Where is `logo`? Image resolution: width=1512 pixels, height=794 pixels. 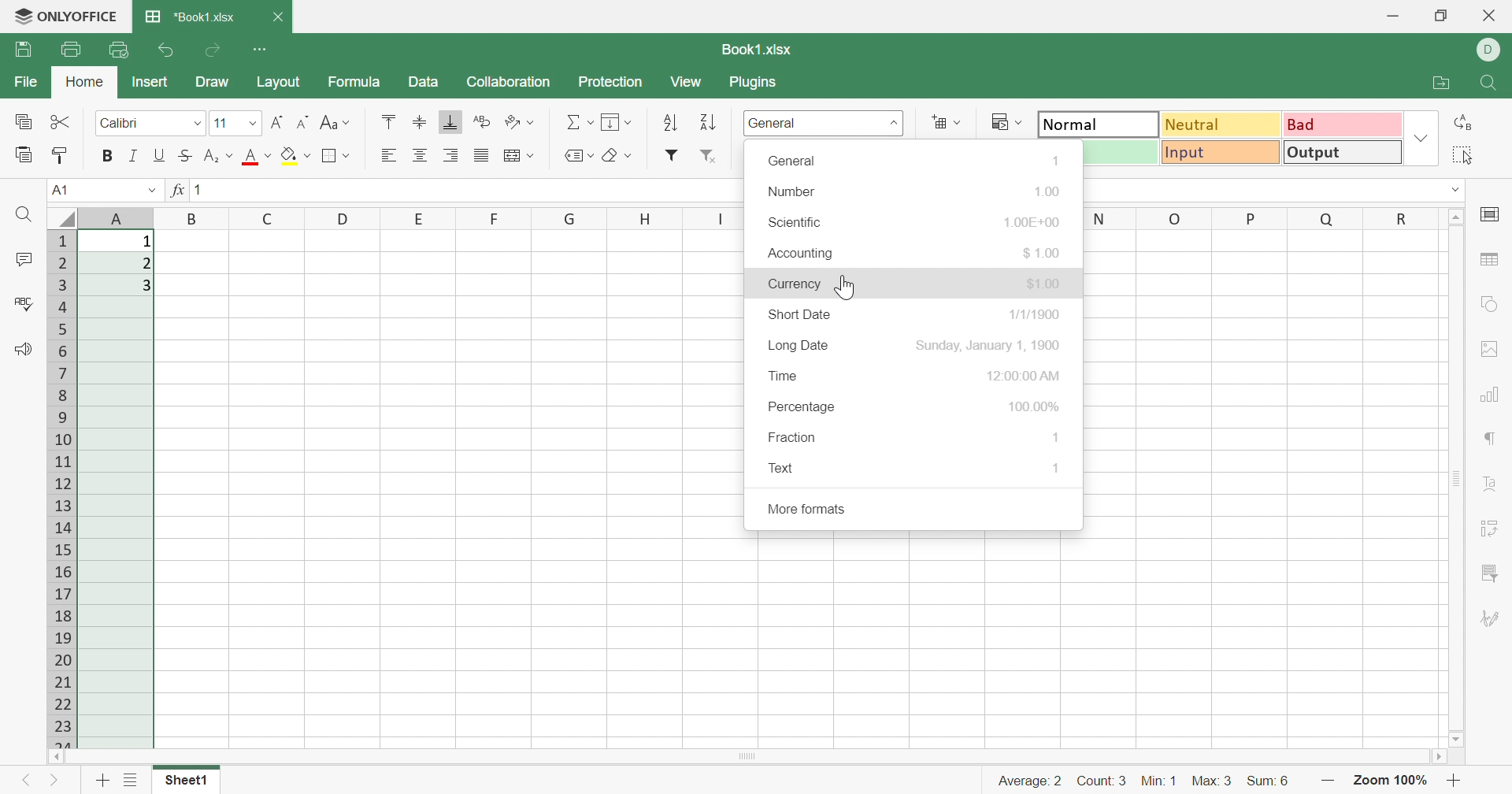
logo is located at coordinates (18, 17).